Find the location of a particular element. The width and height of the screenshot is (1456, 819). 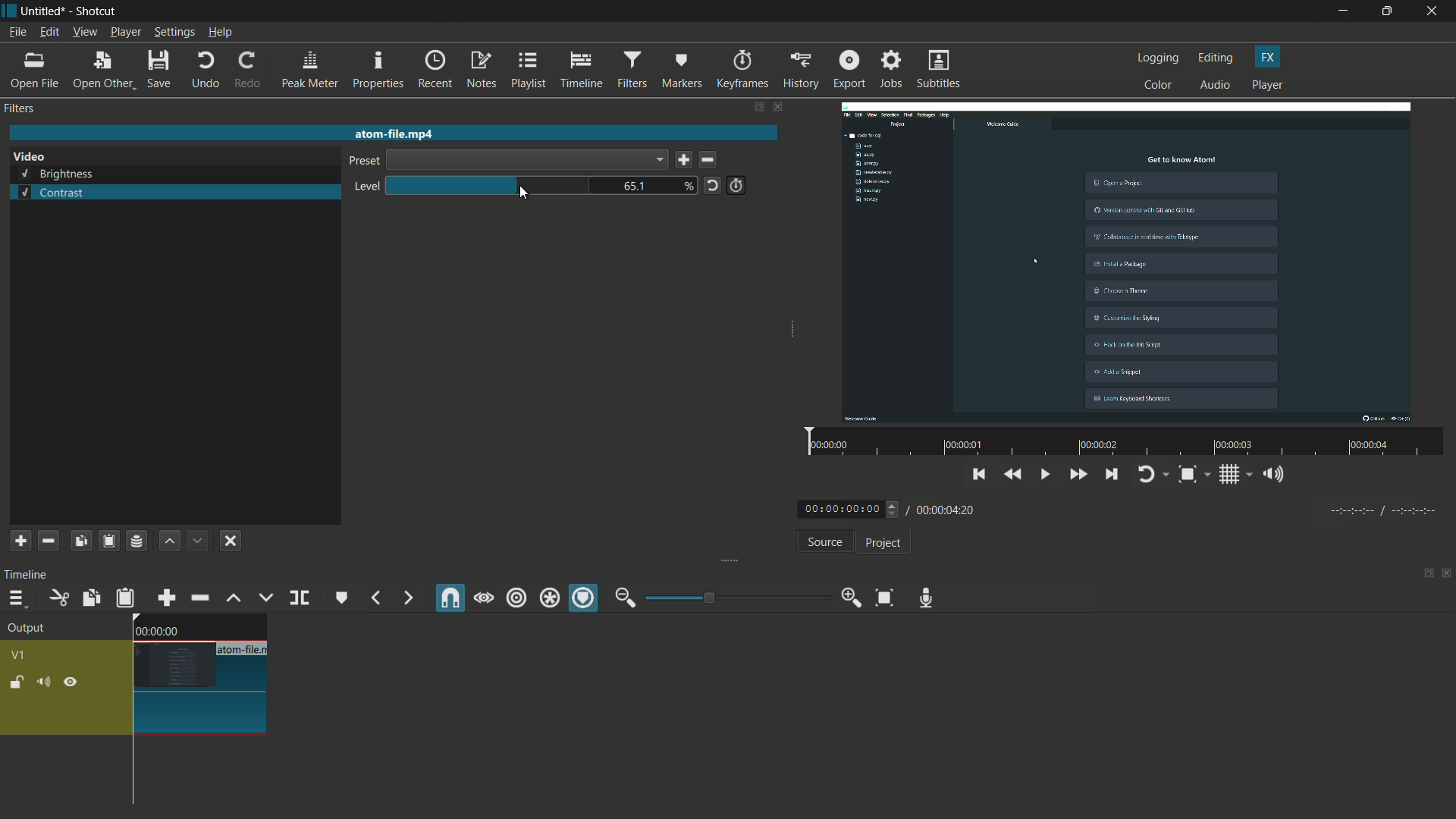

copy is located at coordinates (89, 598).